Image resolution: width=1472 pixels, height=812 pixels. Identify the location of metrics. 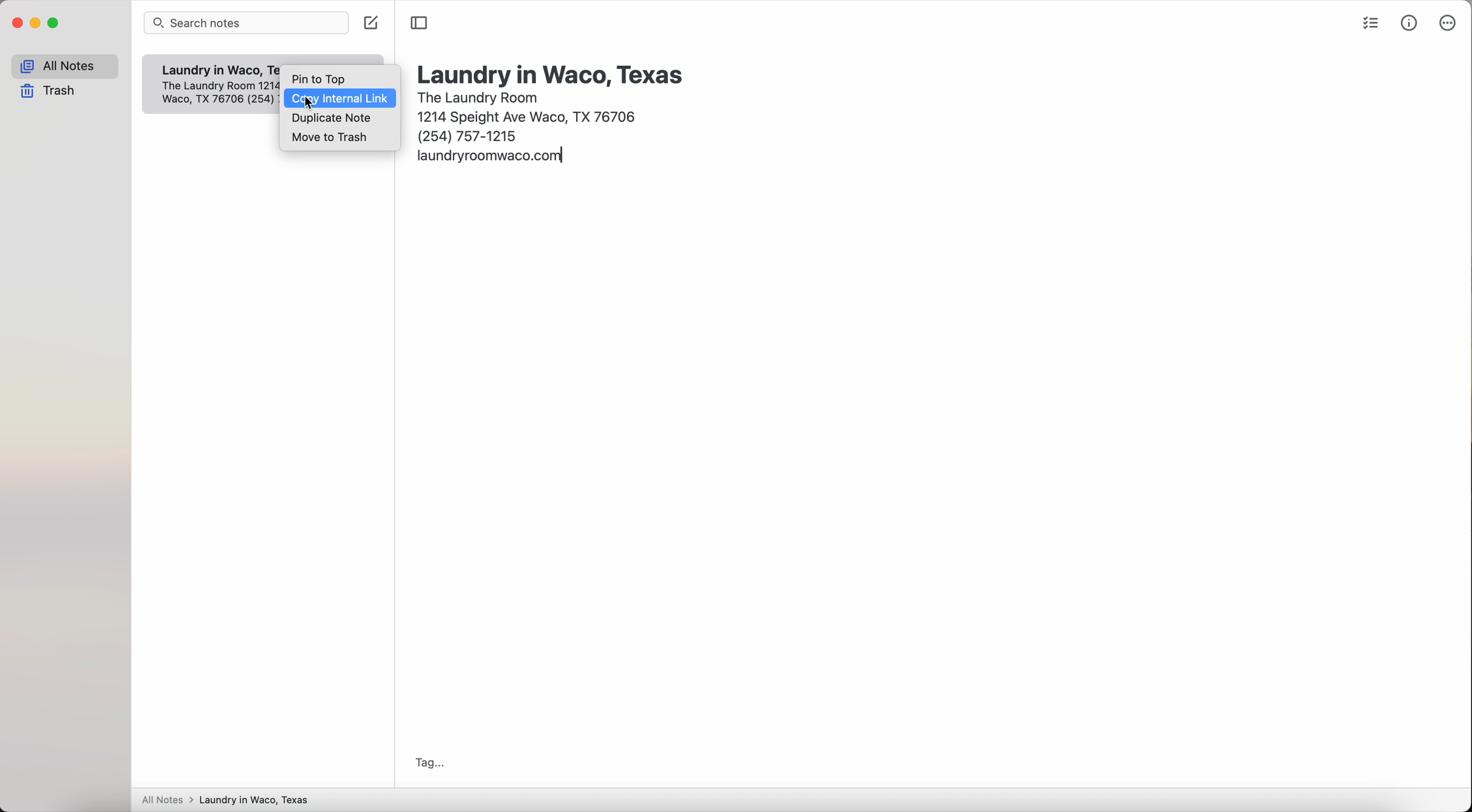
(1410, 22).